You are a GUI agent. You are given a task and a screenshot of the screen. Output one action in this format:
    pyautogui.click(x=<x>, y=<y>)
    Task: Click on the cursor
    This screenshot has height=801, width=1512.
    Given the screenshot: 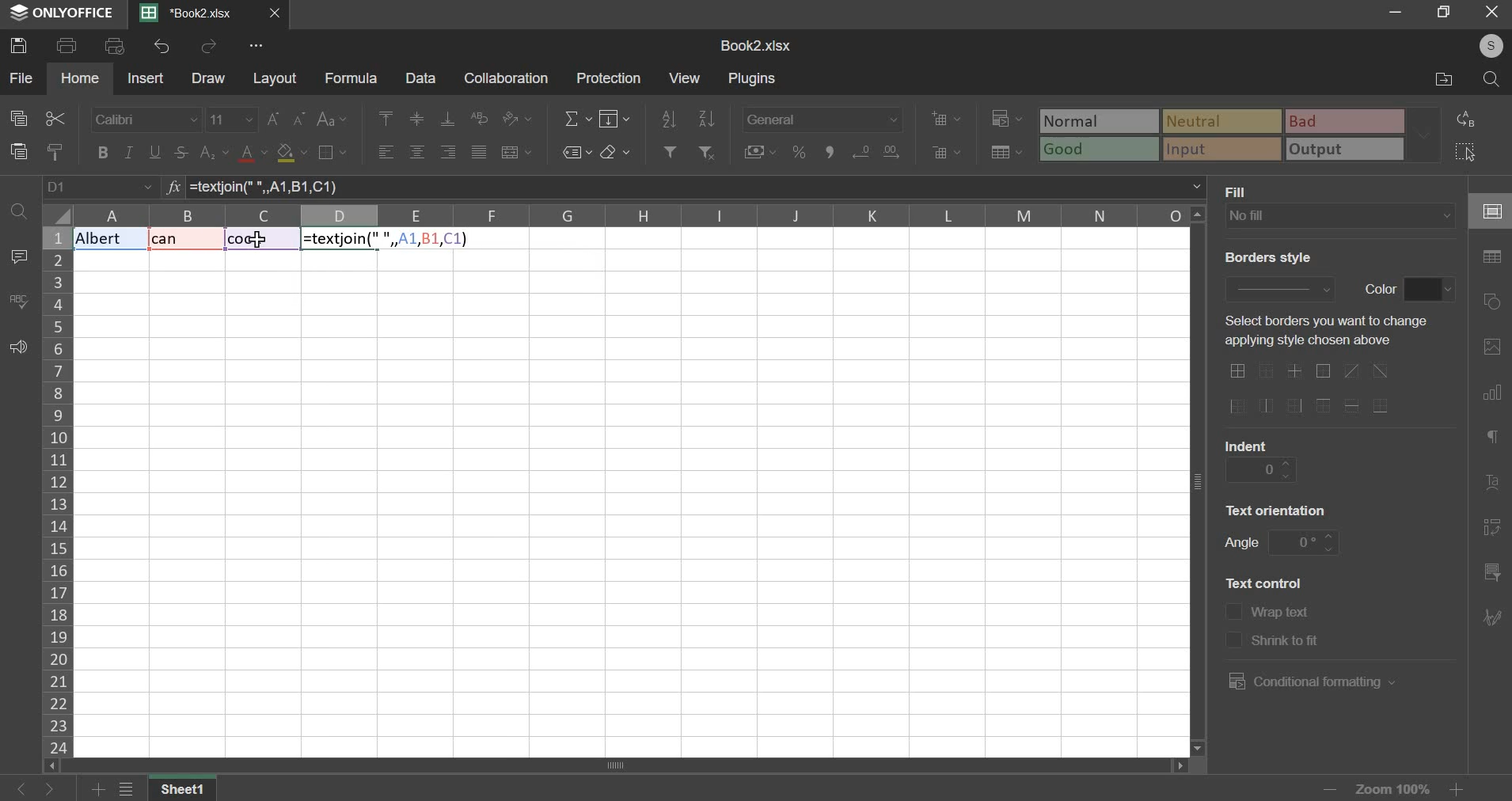 What is the action you would take?
    pyautogui.click(x=257, y=245)
    